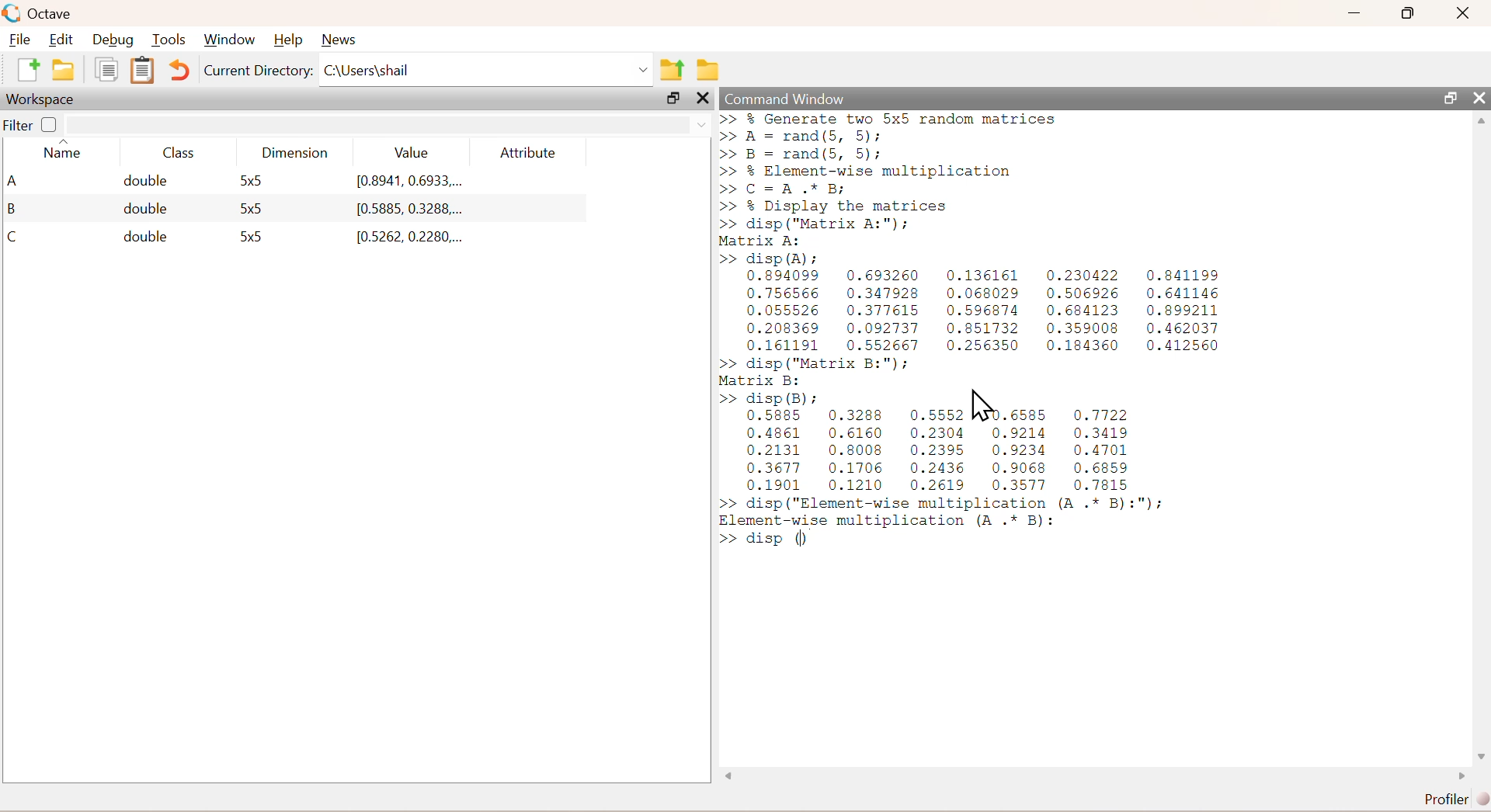 Image resolution: width=1491 pixels, height=812 pixels. What do you see at coordinates (1482, 749) in the screenshot?
I see `Down` at bounding box center [1482, 749].